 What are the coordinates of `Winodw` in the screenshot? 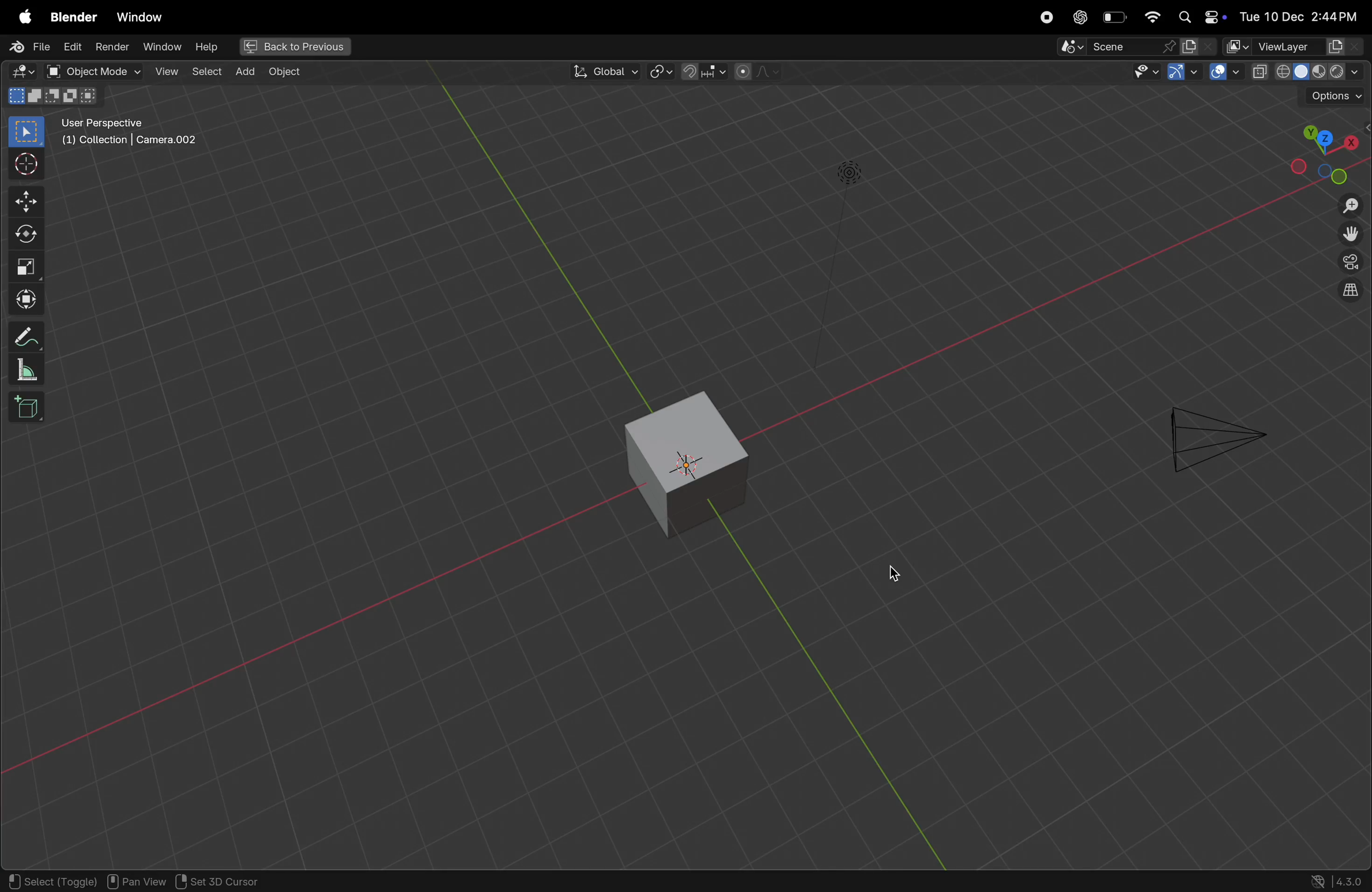 It's located at (165, 48).